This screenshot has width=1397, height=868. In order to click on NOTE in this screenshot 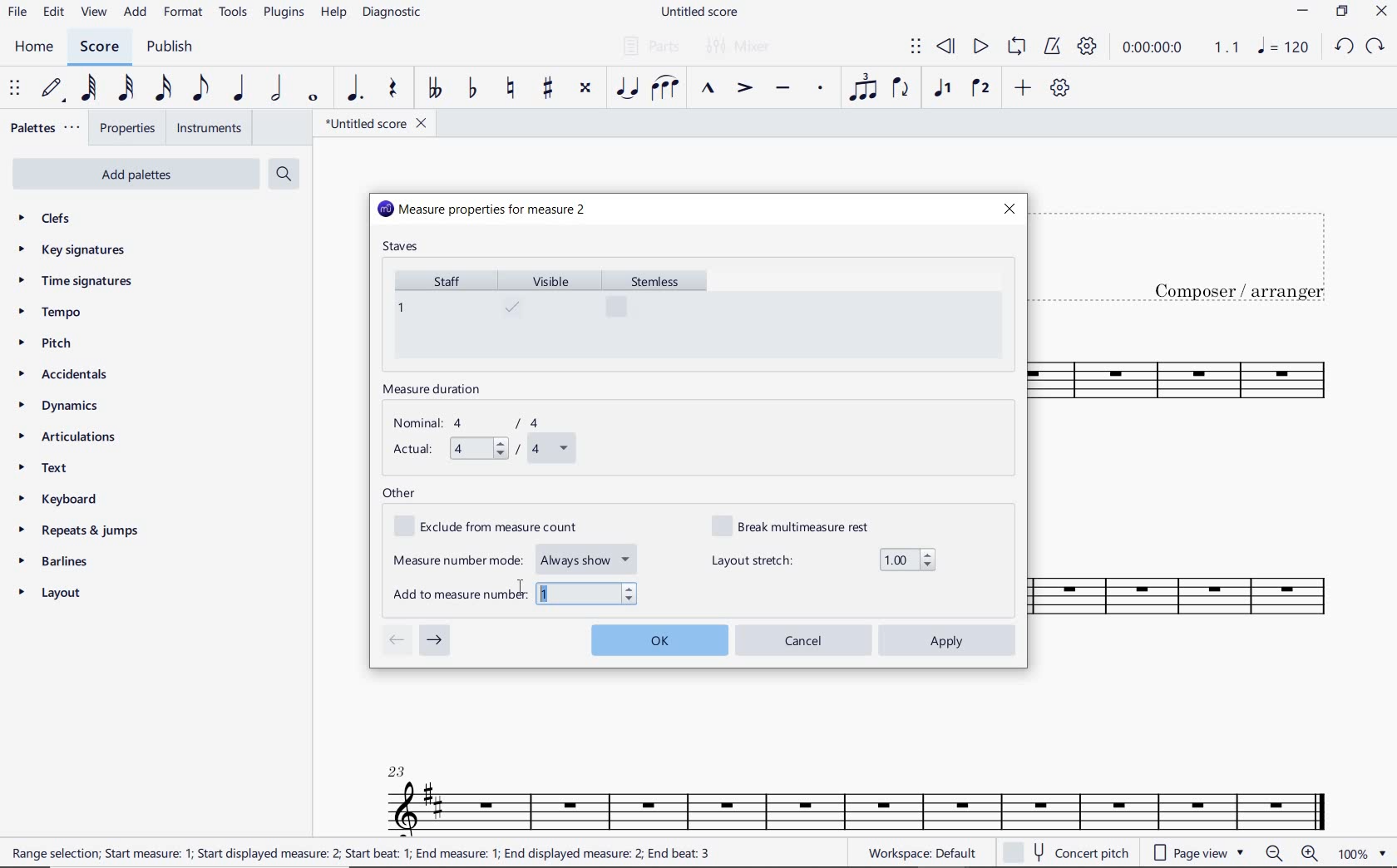, I will do `click(1282, 47)`.